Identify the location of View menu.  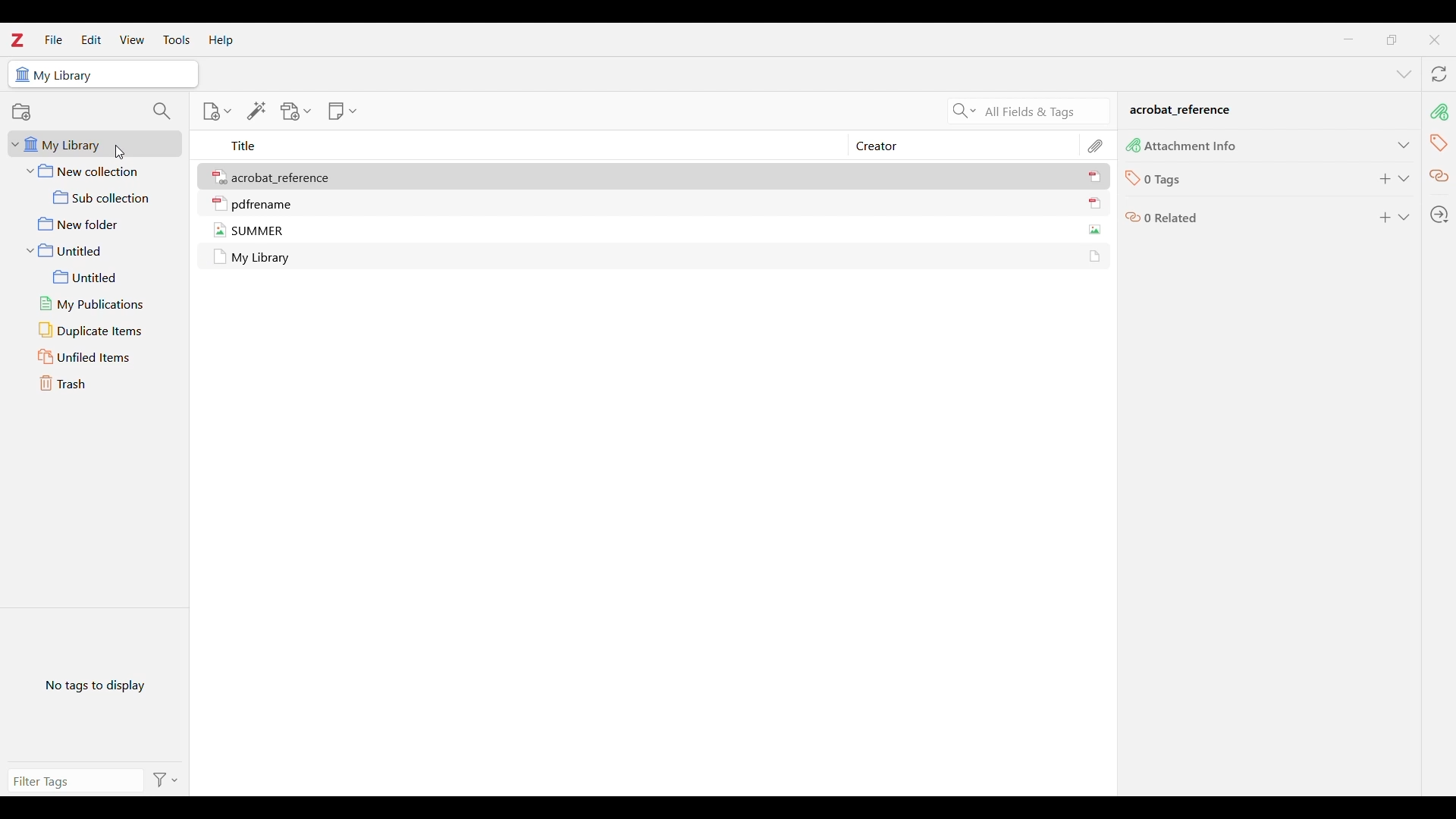
(132, 39).